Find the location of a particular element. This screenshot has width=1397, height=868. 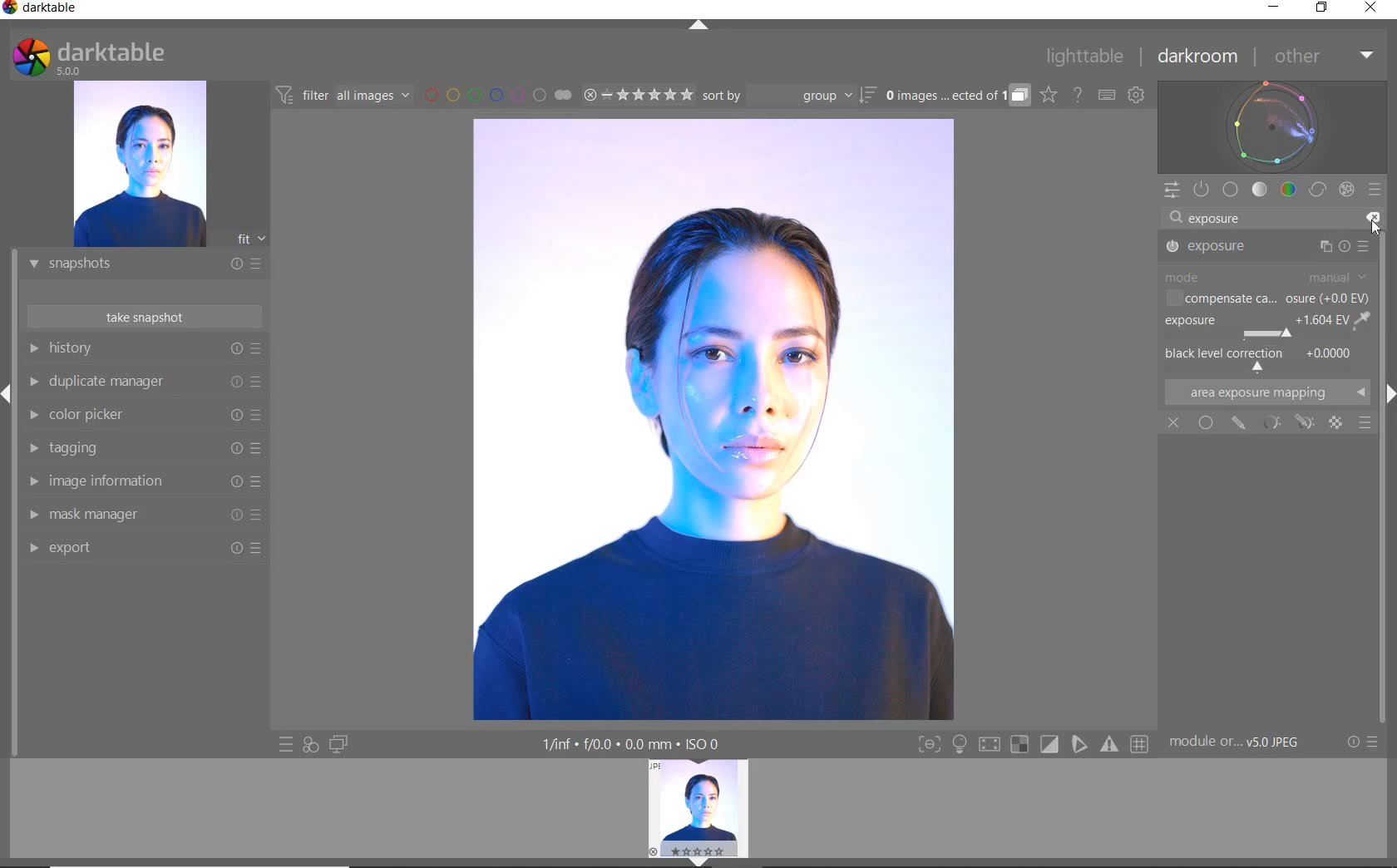

EXPAND/COLLAPSE is located at coordinates (704, 861).